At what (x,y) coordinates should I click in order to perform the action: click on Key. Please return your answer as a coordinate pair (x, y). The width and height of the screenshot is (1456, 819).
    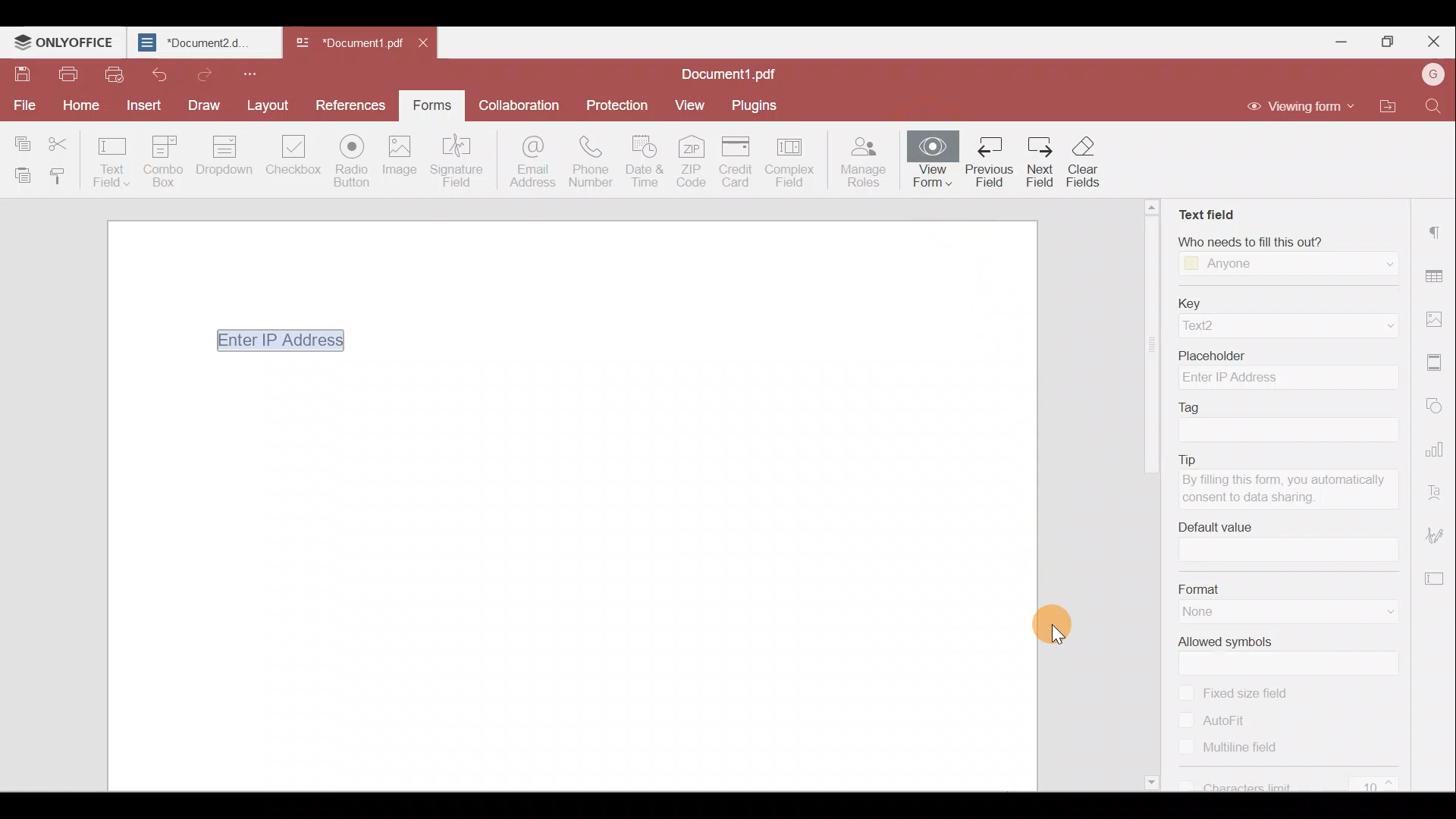
    Looking at the image, I should click on (1288, 302).